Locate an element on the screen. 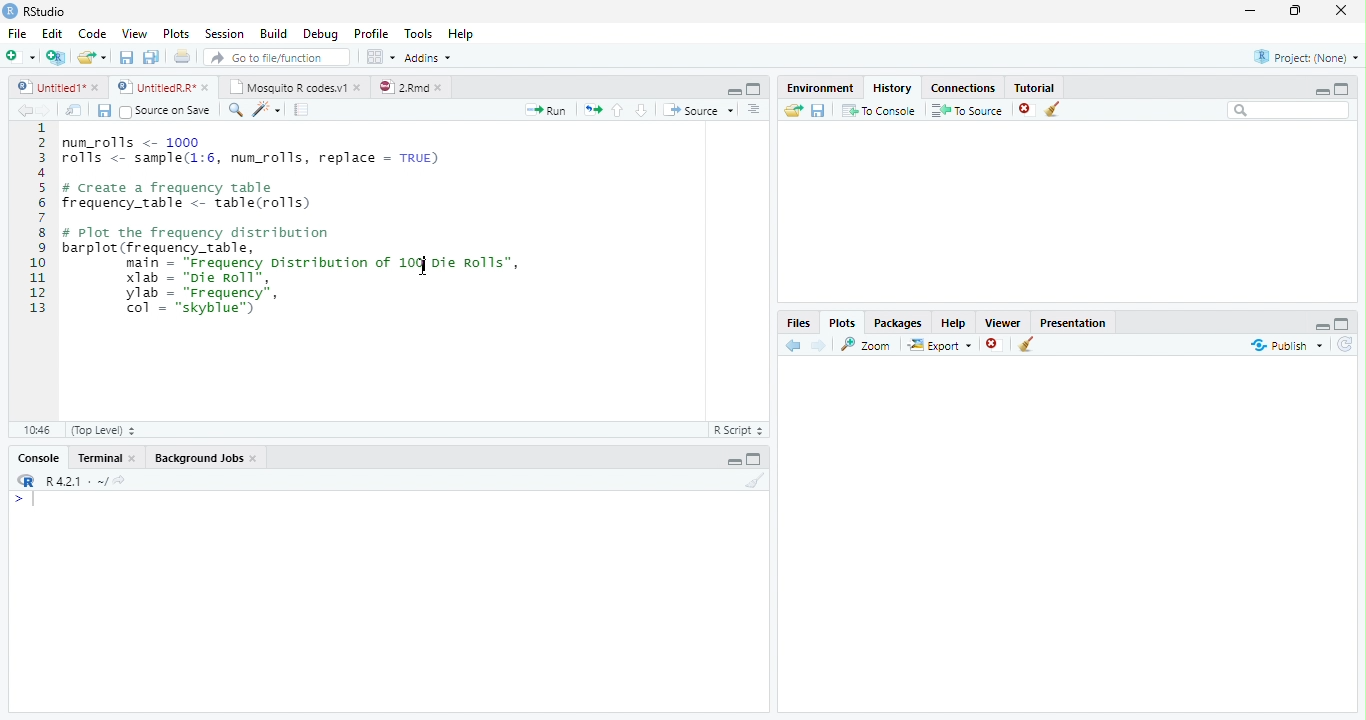  Open an existing file is located at coordinates (92, 57).